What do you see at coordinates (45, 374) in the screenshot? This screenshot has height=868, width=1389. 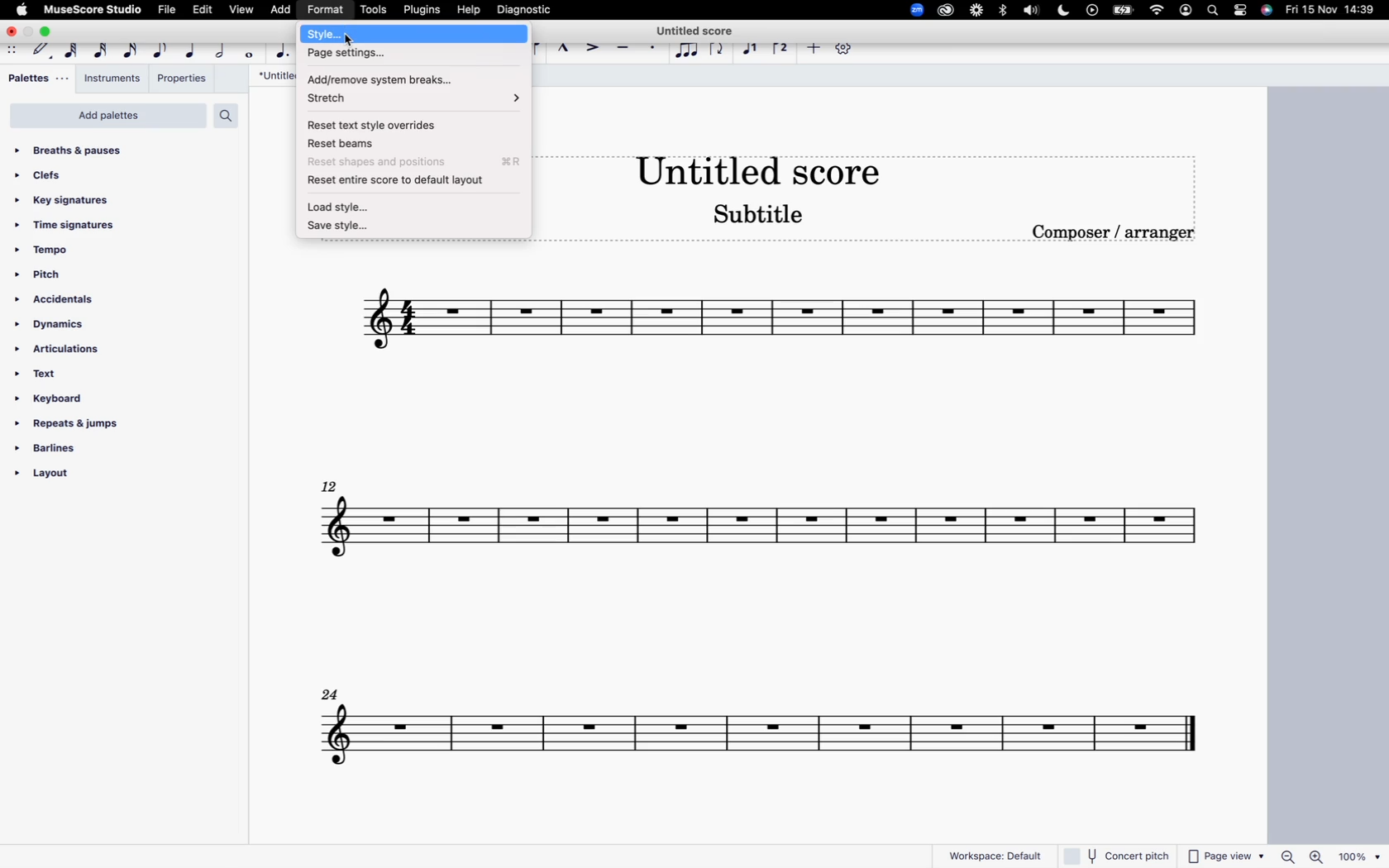 I see `text` at bounding box center [45, 374].